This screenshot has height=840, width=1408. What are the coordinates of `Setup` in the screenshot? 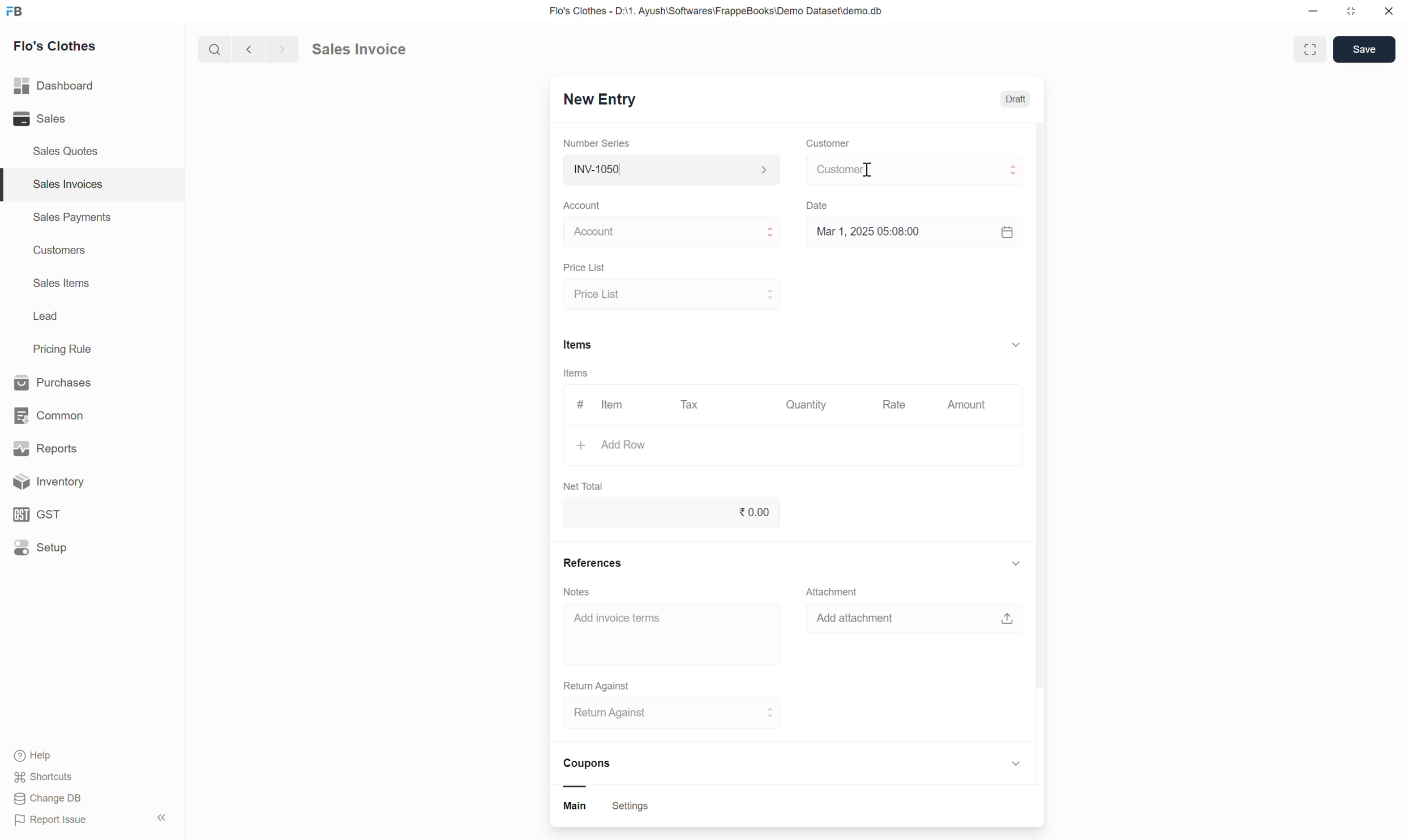 It's located at (82, 551).